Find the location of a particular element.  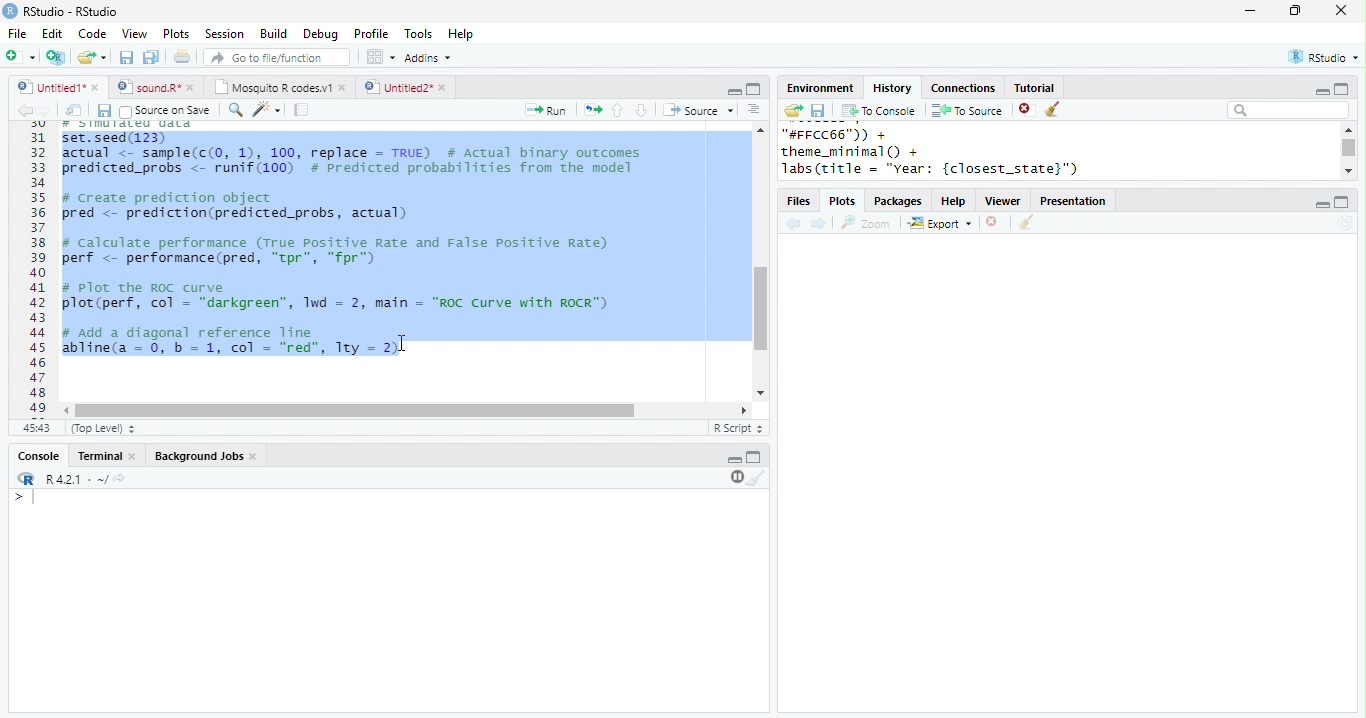

clear is located at coordinates (1026, 223).